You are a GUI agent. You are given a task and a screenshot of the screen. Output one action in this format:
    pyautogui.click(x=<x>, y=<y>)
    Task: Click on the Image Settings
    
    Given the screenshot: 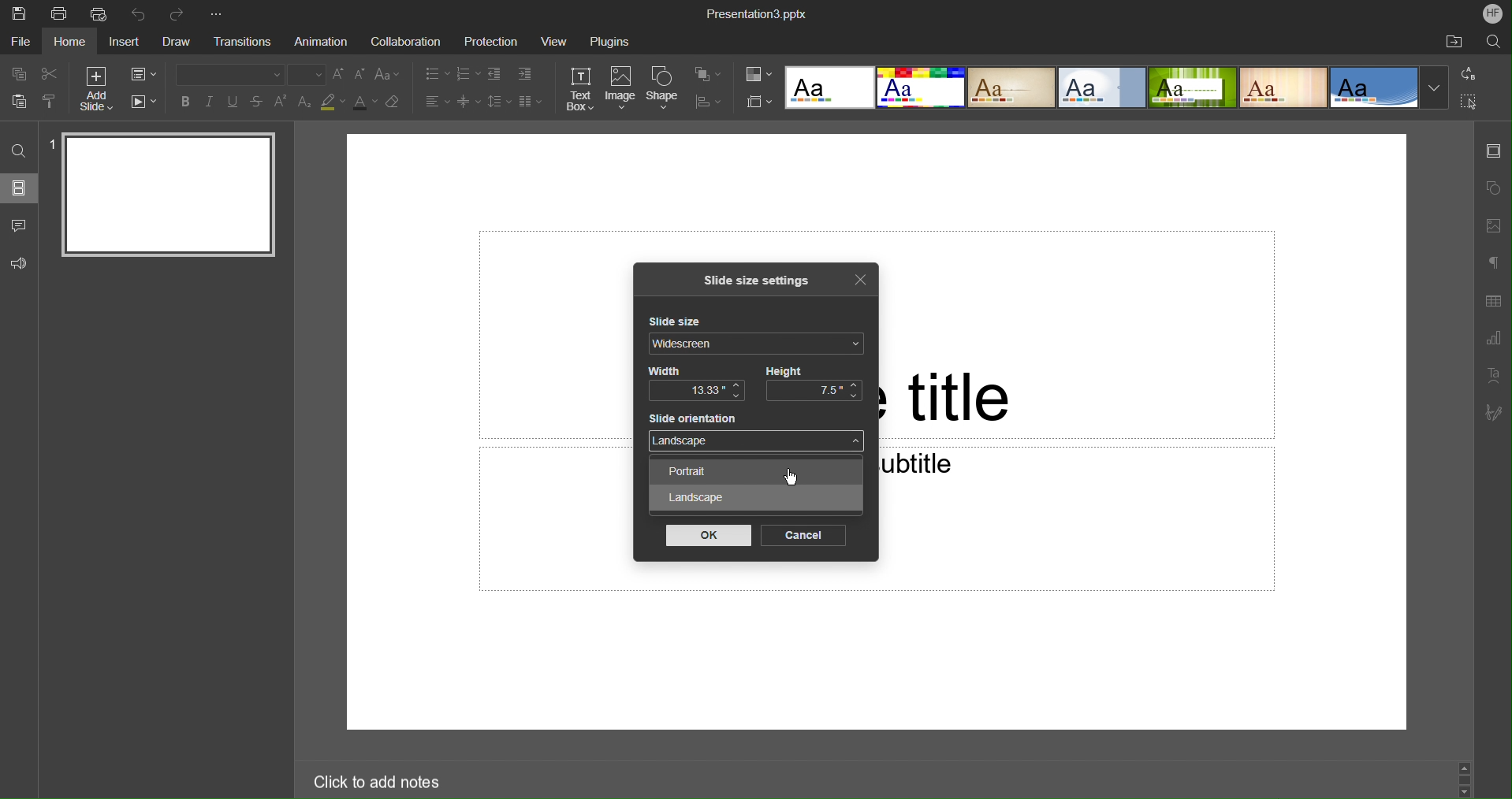 What is the action you would take?
    pyautogui.click(x=1494, y=224)
    